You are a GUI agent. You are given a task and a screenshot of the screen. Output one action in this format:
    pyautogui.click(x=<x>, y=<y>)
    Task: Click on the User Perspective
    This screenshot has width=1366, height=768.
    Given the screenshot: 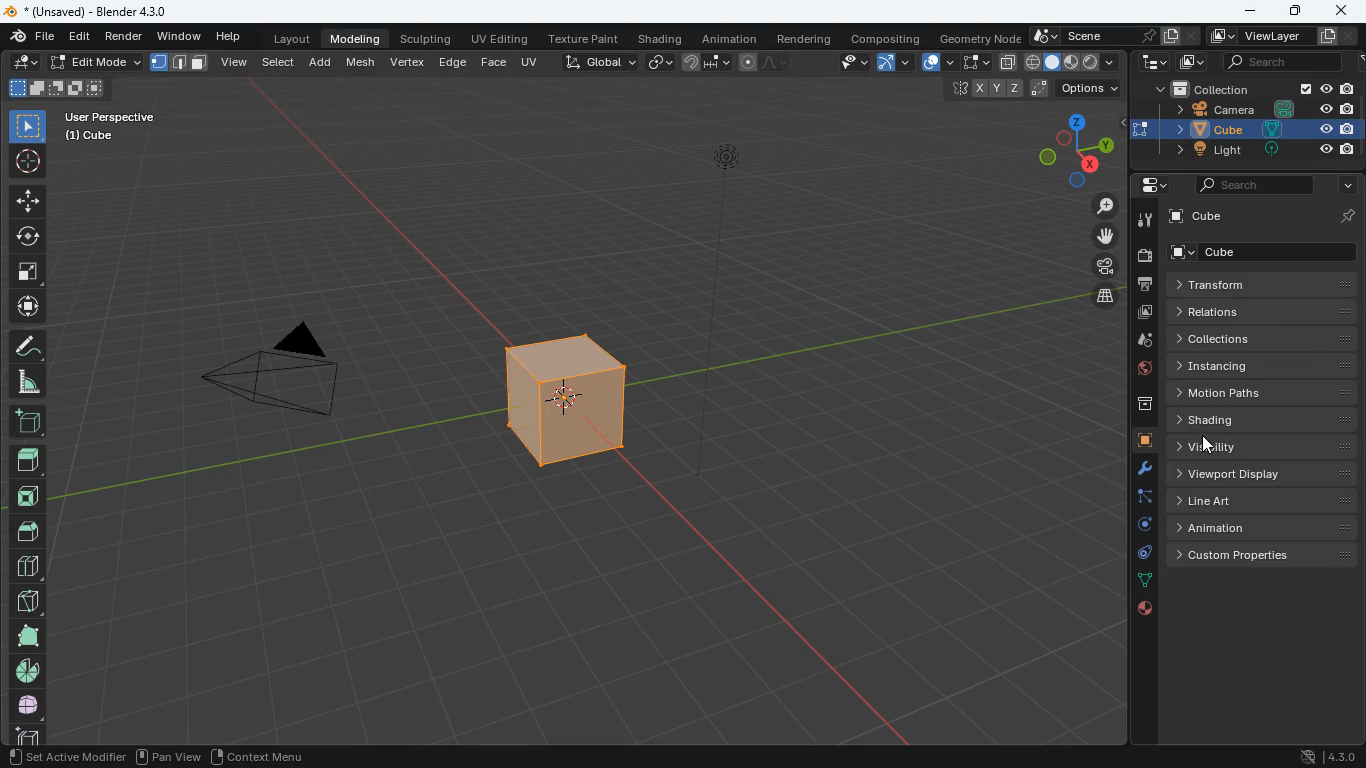 What is the action you would take?
    pyautogui.click(x=109, y=116)
    